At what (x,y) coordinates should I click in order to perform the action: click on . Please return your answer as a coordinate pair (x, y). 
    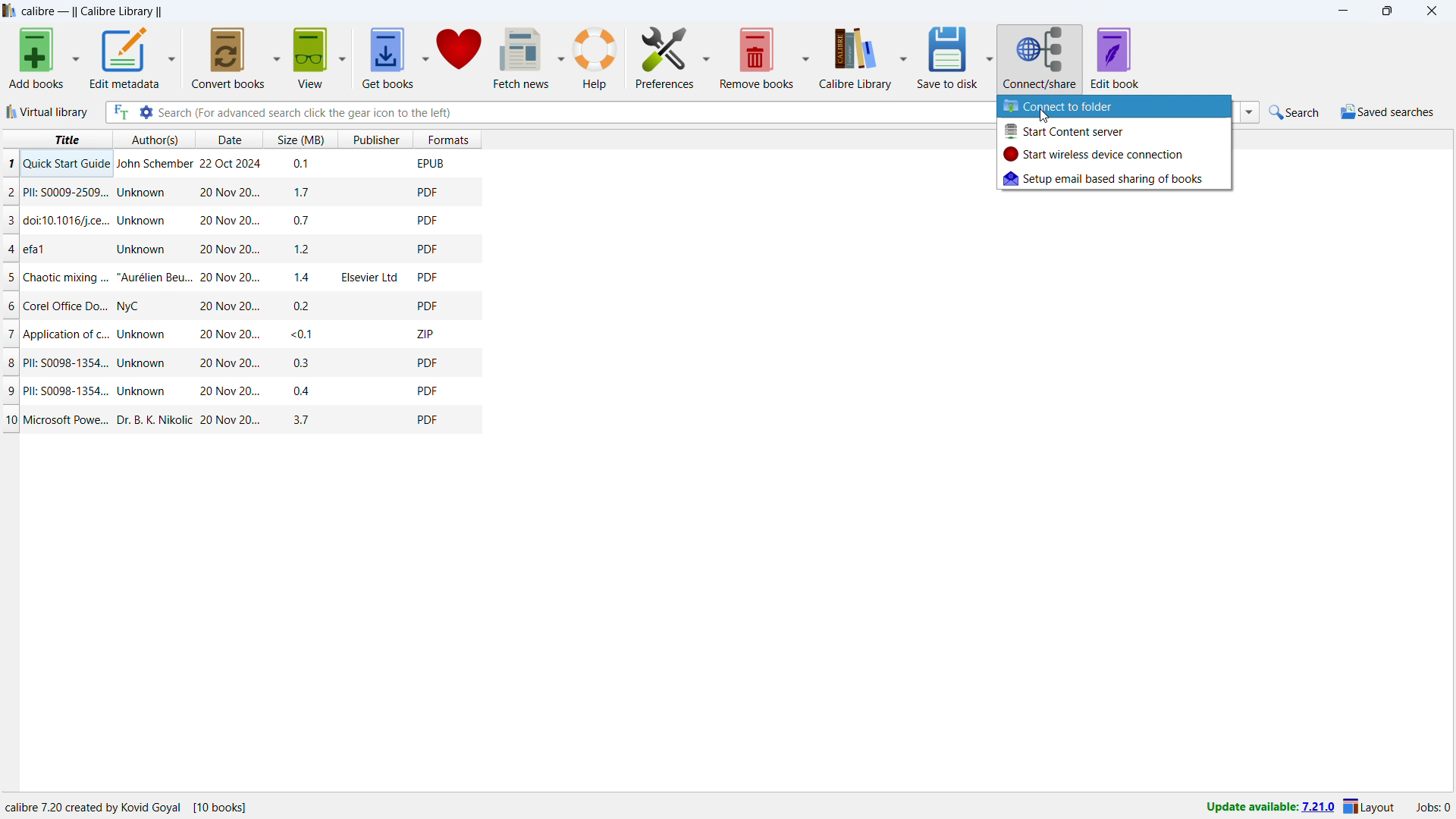
    Looking at the image, I should click on (855, 58).